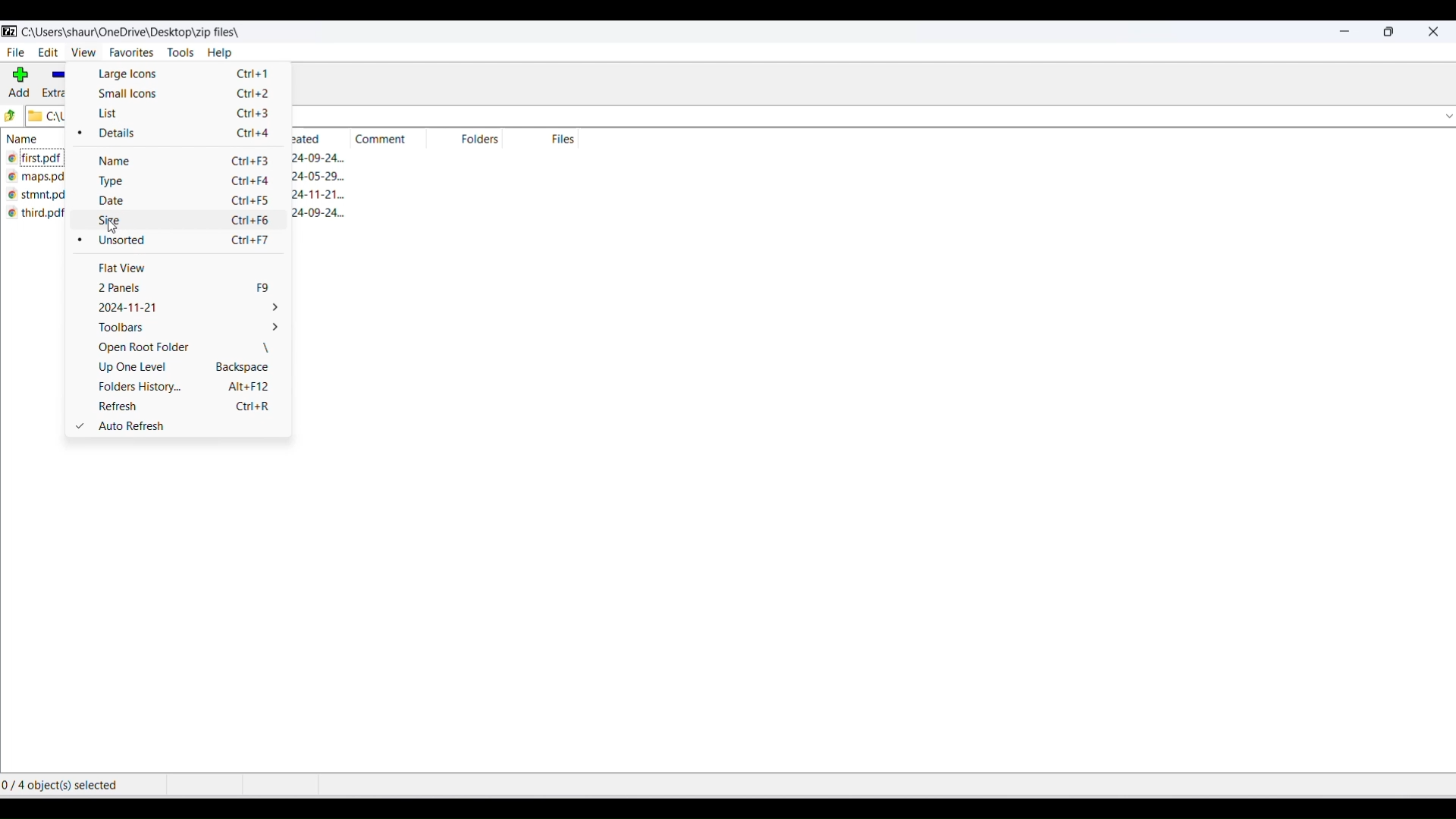  I want to click on help, so click(228, 54).